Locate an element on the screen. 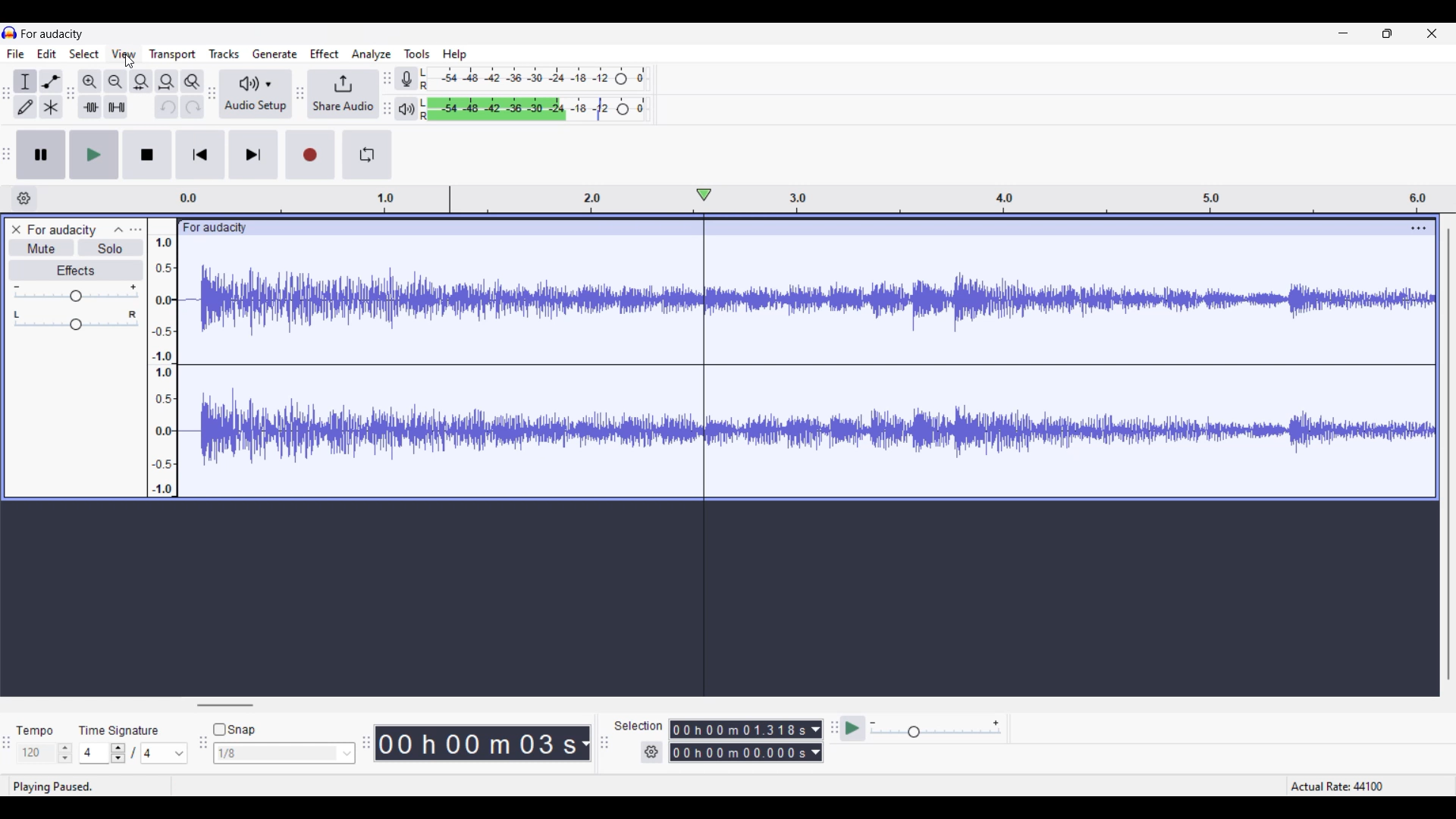  Software name is located at coordinates (52, 34).